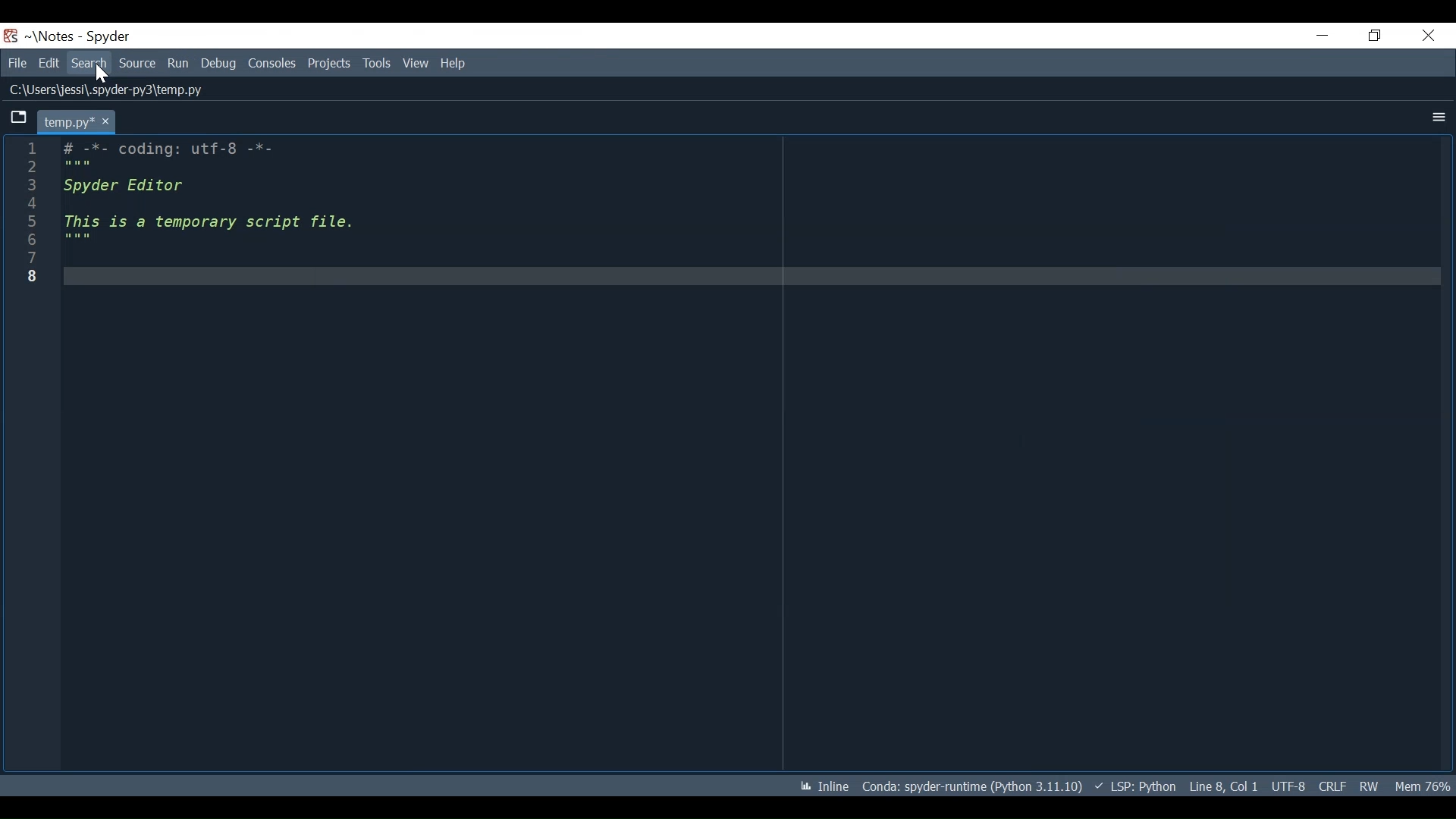  Describe the element at coordinates (71, 120) in the screenshot. I see `Current tab` at that location.